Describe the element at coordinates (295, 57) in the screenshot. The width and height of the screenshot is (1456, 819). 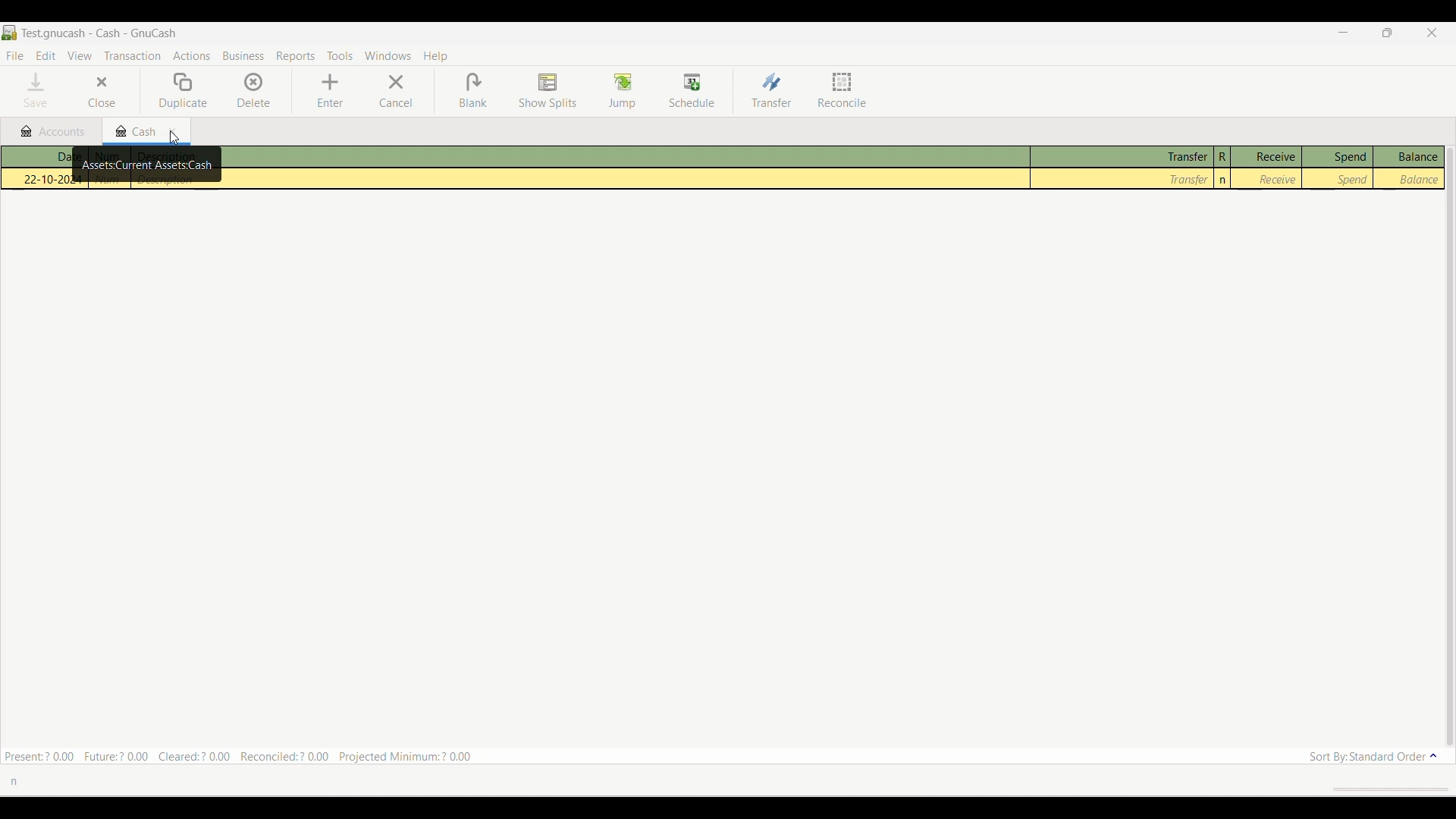
I see `Reports` at that location.